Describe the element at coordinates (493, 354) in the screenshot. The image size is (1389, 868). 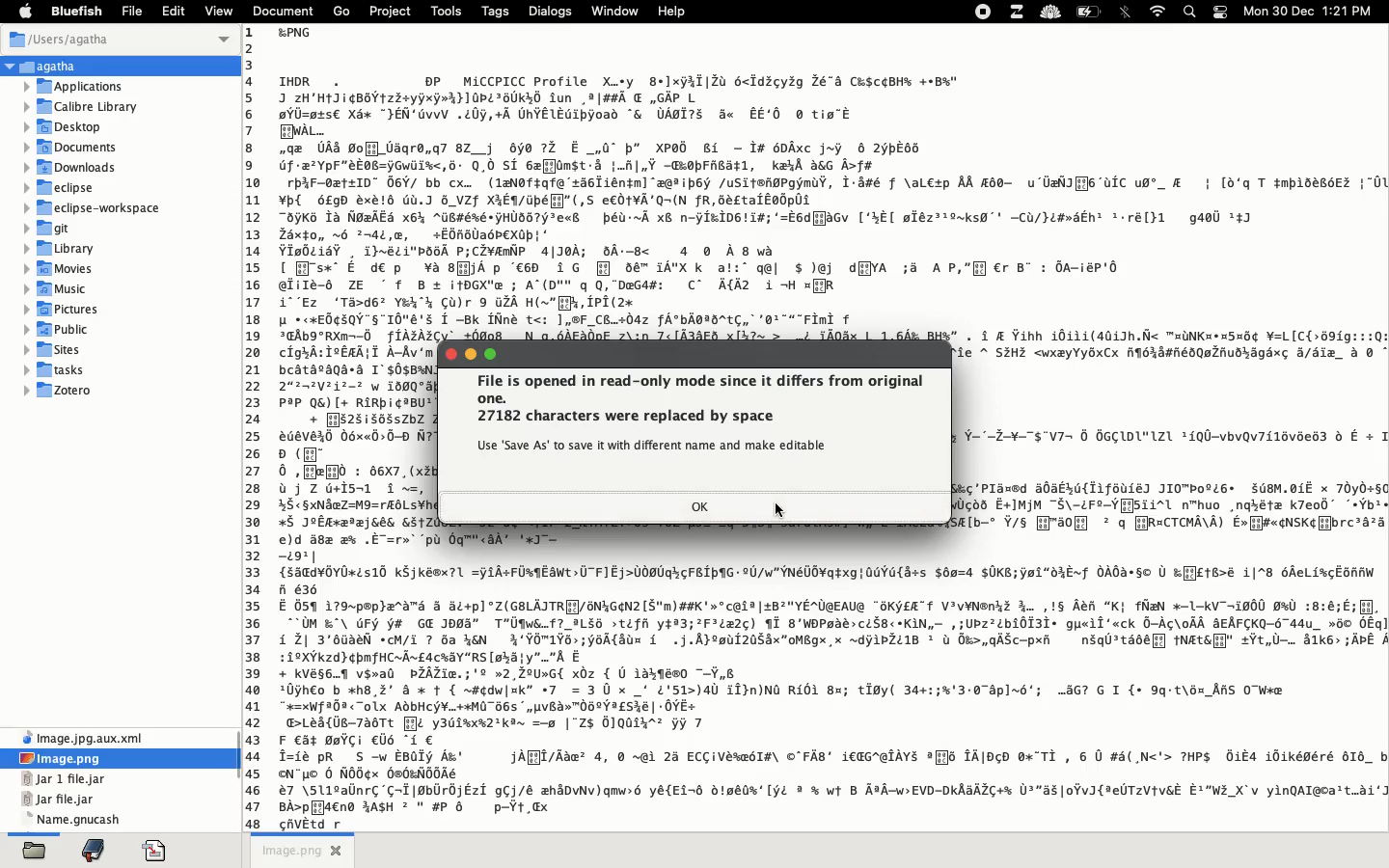
I see `maximize` at that location.